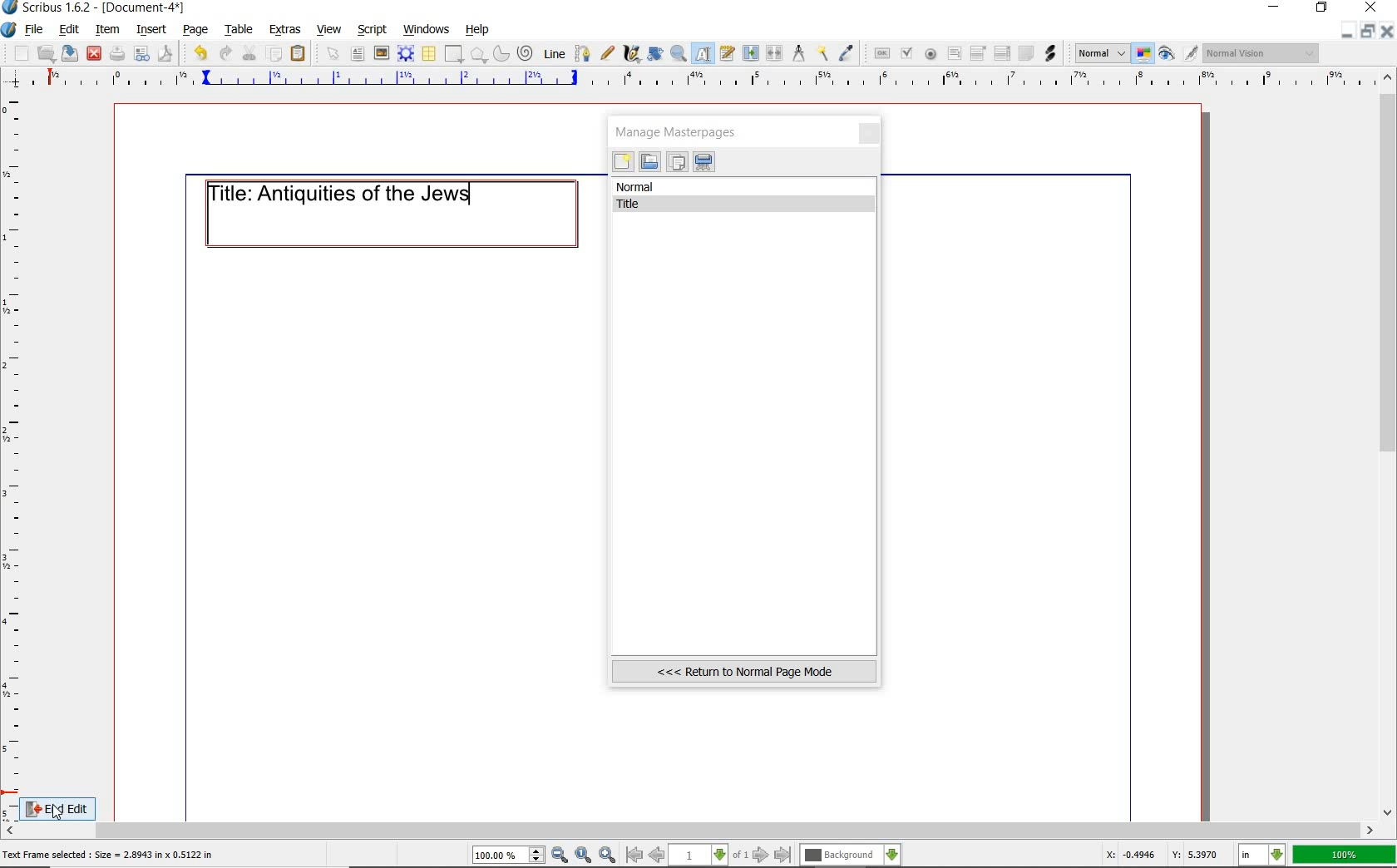 The width and height of the screenshot is (1397, 868). What do you see at coordinates (699, 856) in the screenshot?
I see `1` at bounding box center [699, 856].